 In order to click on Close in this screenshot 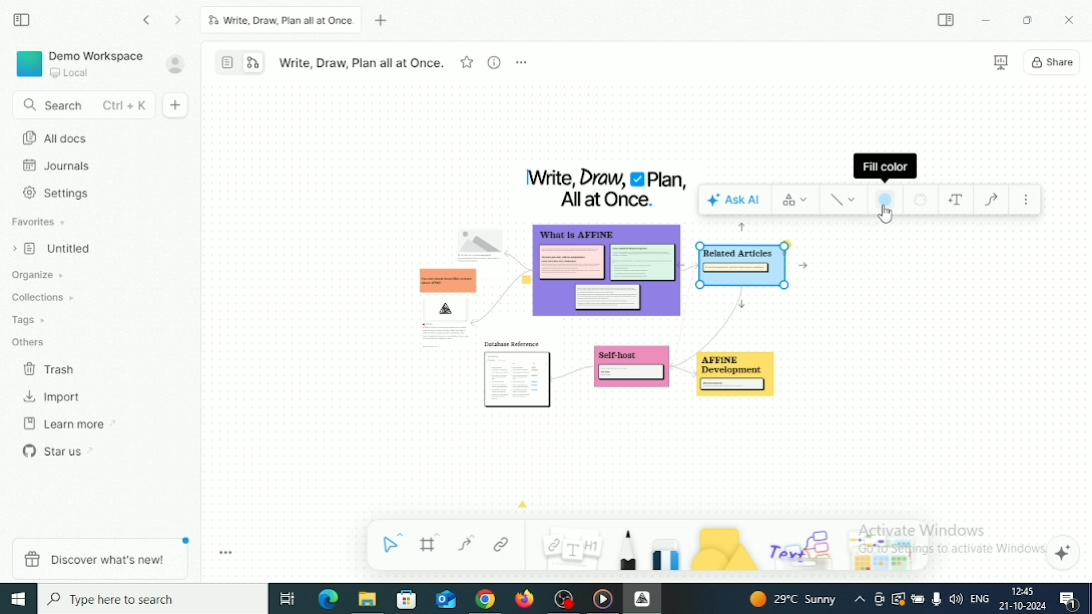, I will do `click(1070, 19)`.